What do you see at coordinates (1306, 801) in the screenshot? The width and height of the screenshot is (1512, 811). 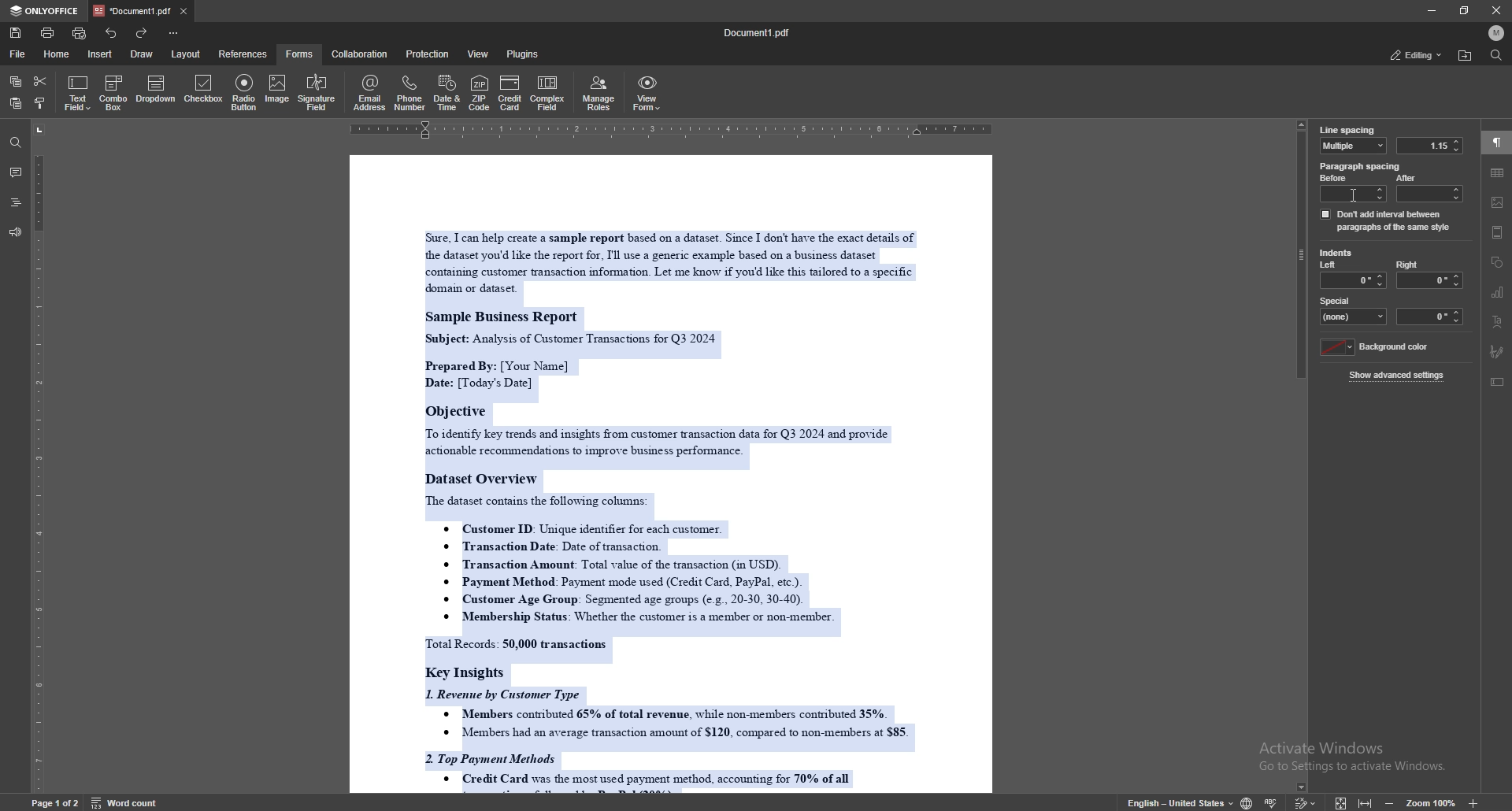 I see `track change` at bounding box center [1306, 801].